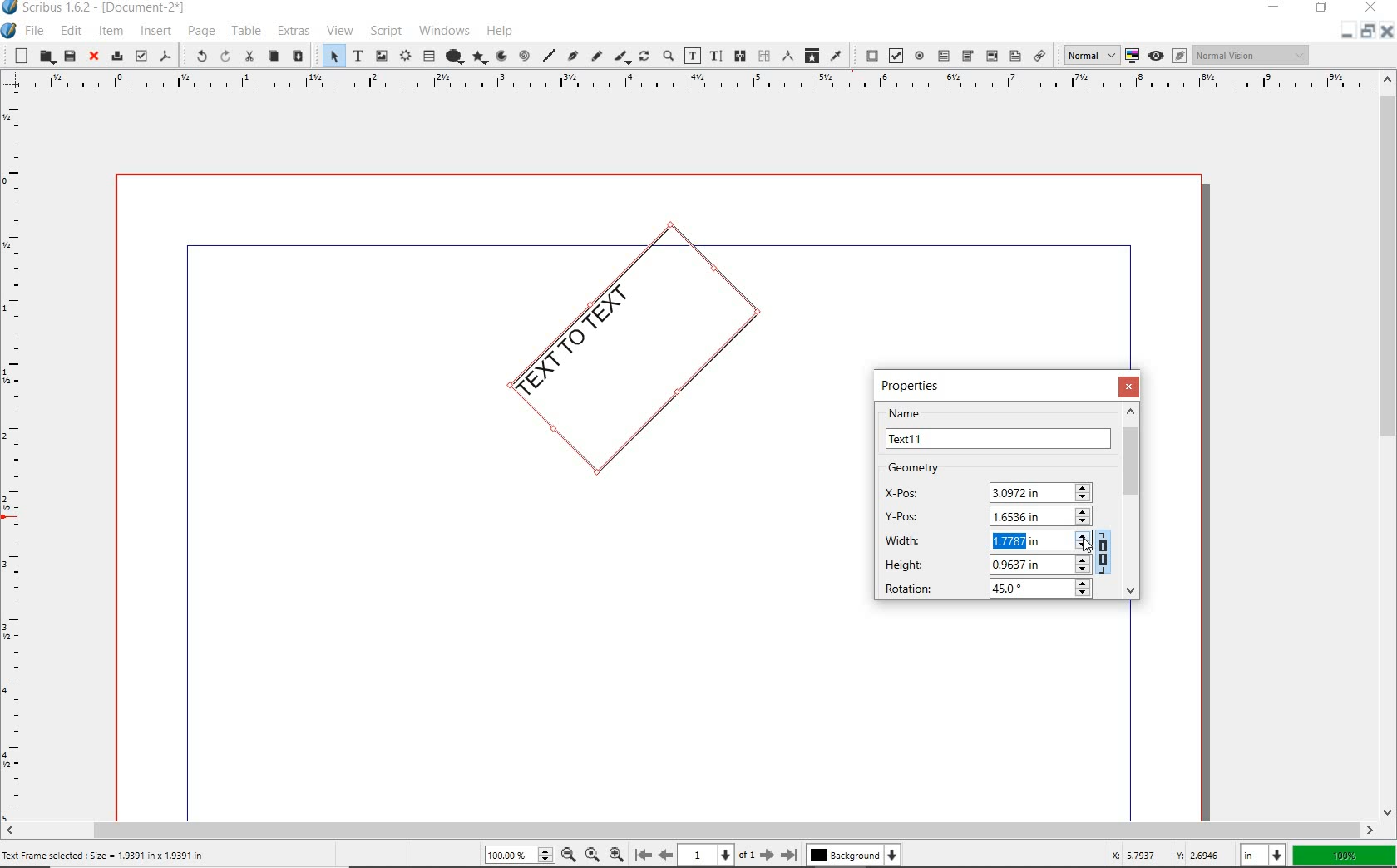 This screenshot has height=868, width=1397. What do you see at coordinates (838, 57) in the screenshot?
I see `eye dropper` at bounding box center [838, 57].